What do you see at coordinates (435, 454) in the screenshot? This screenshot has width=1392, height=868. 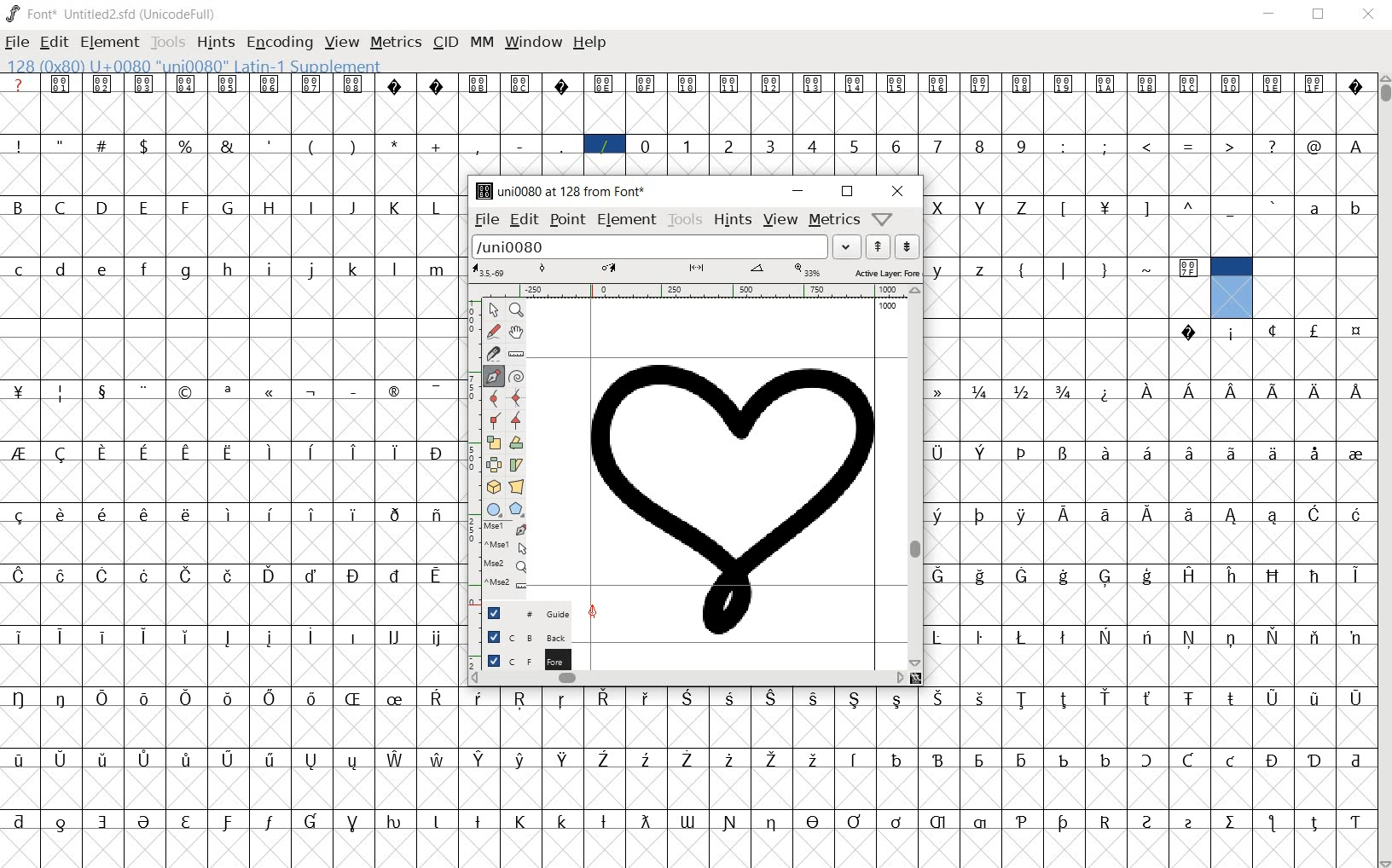 I see `glyph` at bounding box center [435, 454].